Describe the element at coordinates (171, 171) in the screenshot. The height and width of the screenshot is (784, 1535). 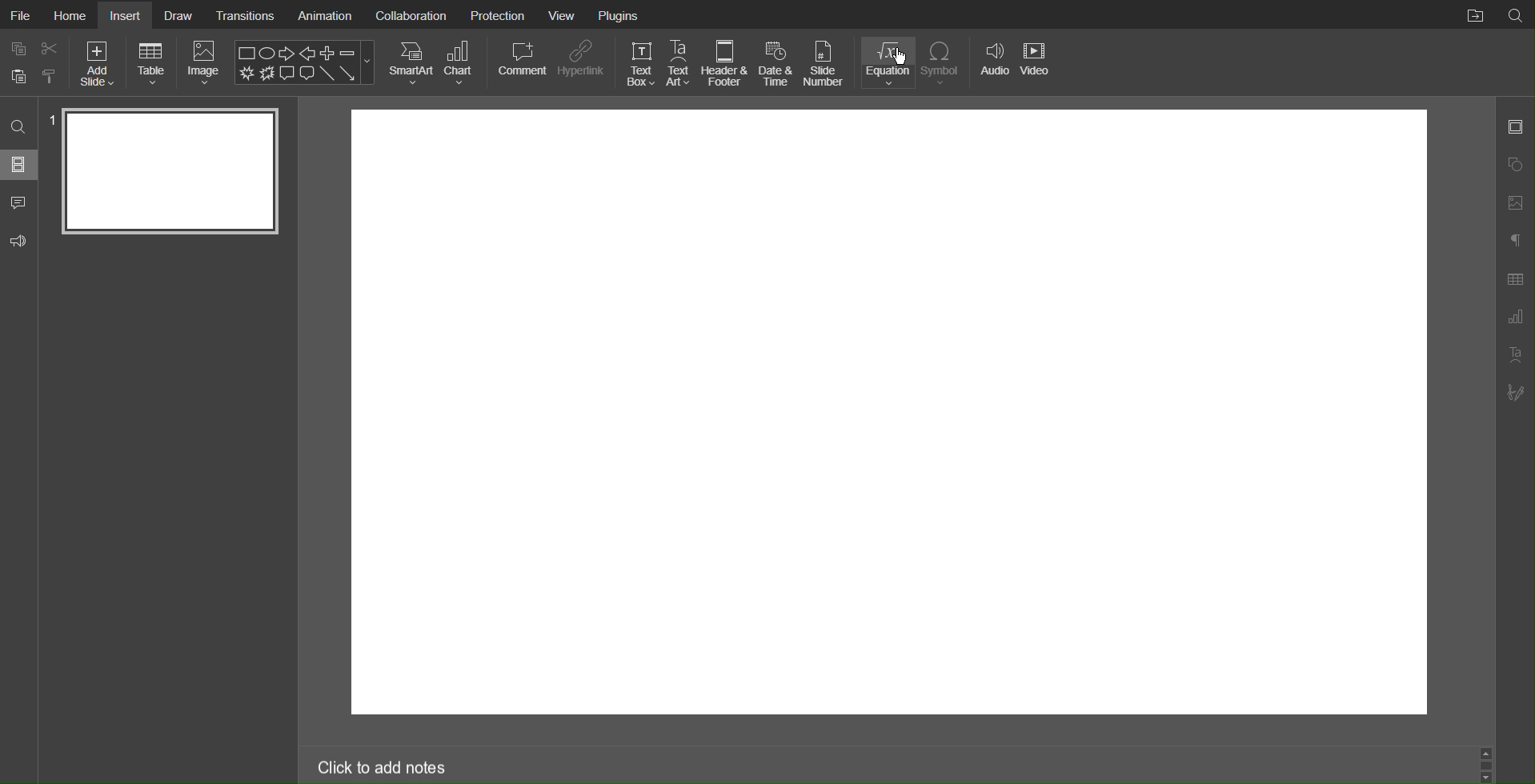
I see `Slide 1` at that location.